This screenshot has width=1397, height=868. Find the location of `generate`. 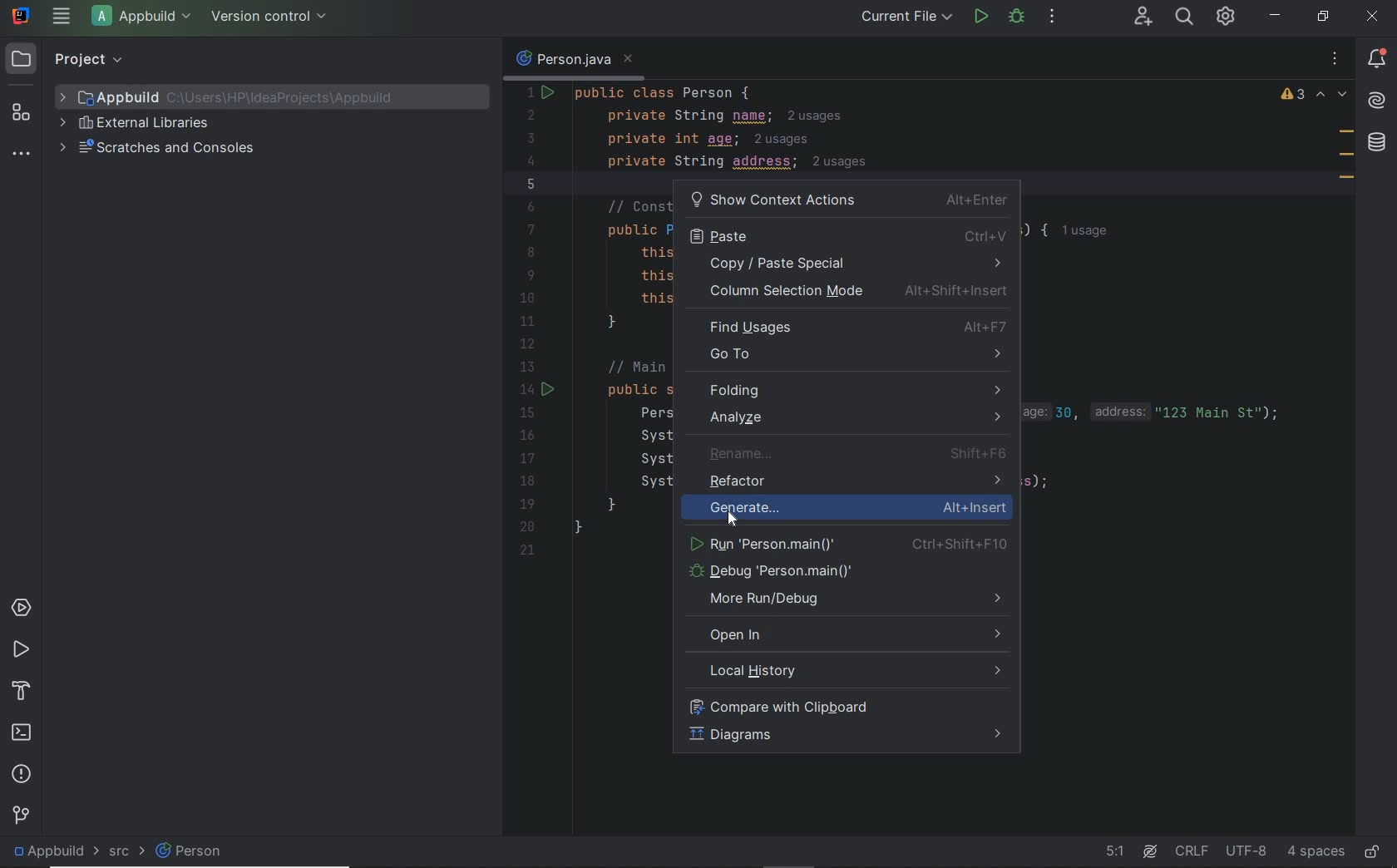

generate is located at coordinates (885, 511).